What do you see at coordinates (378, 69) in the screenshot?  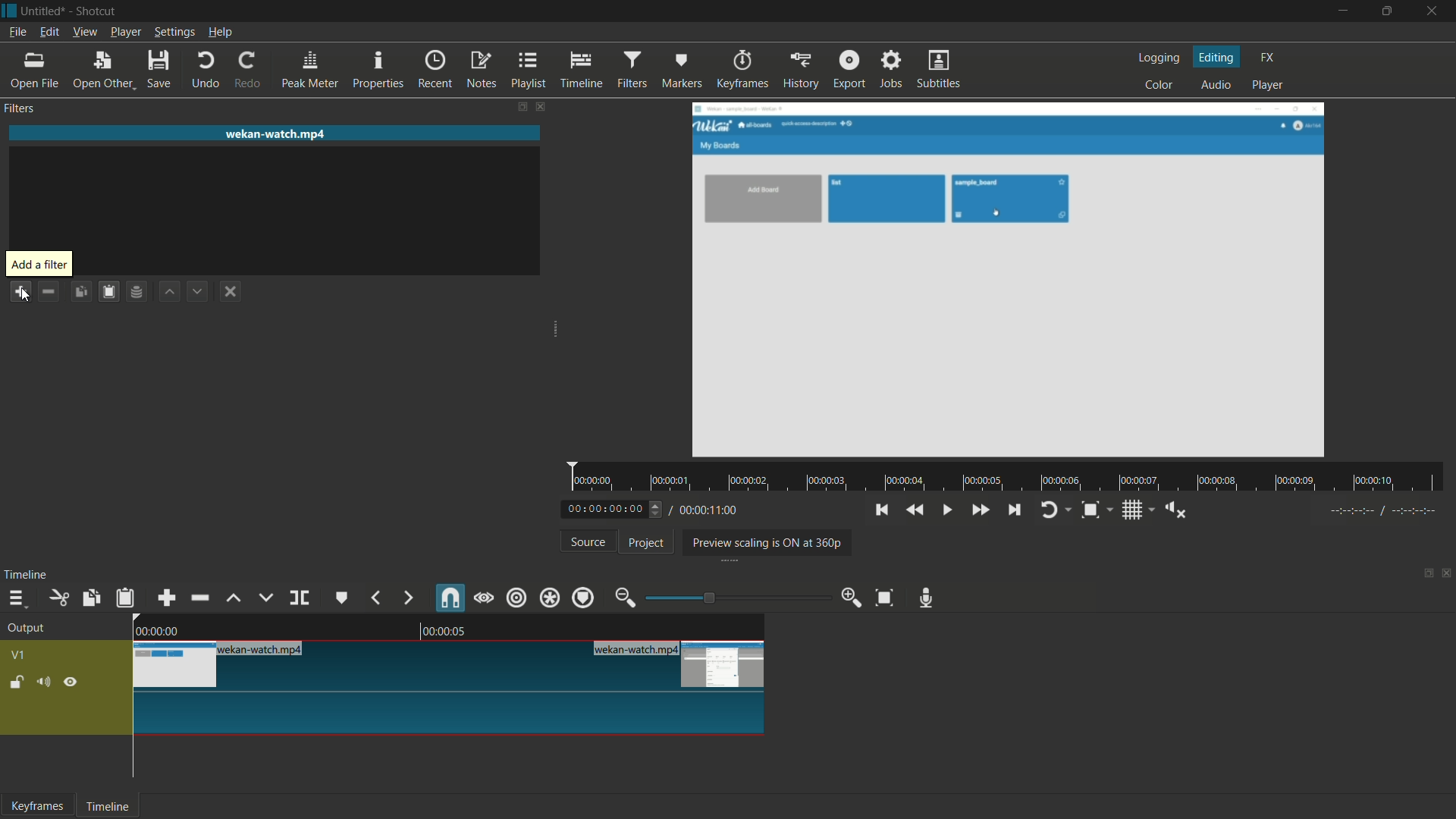 I see `properties` at bounding box center [378, 69].